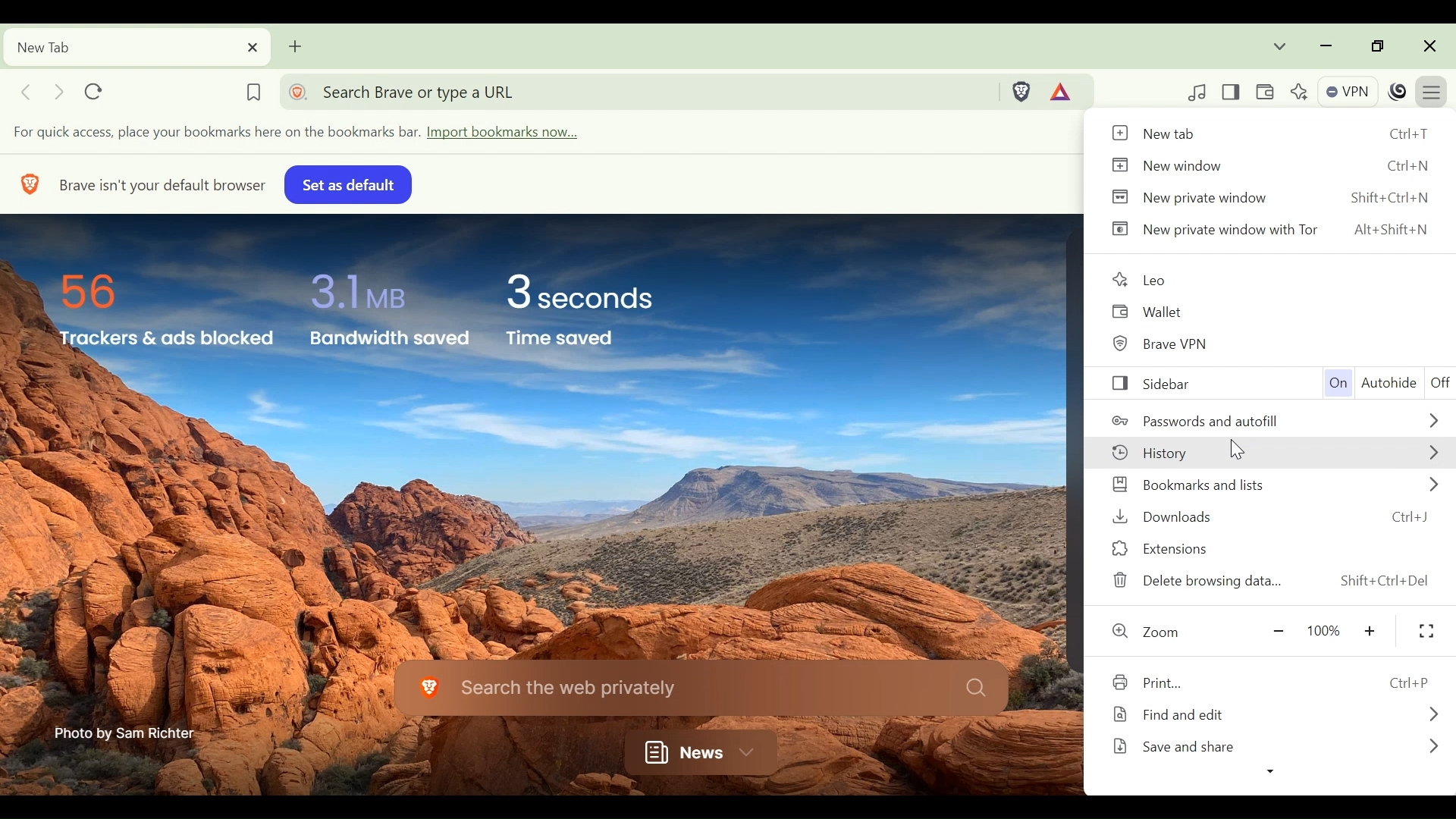 The image size is (1456, 819). I want to click on Time saved, so click(581, 341).